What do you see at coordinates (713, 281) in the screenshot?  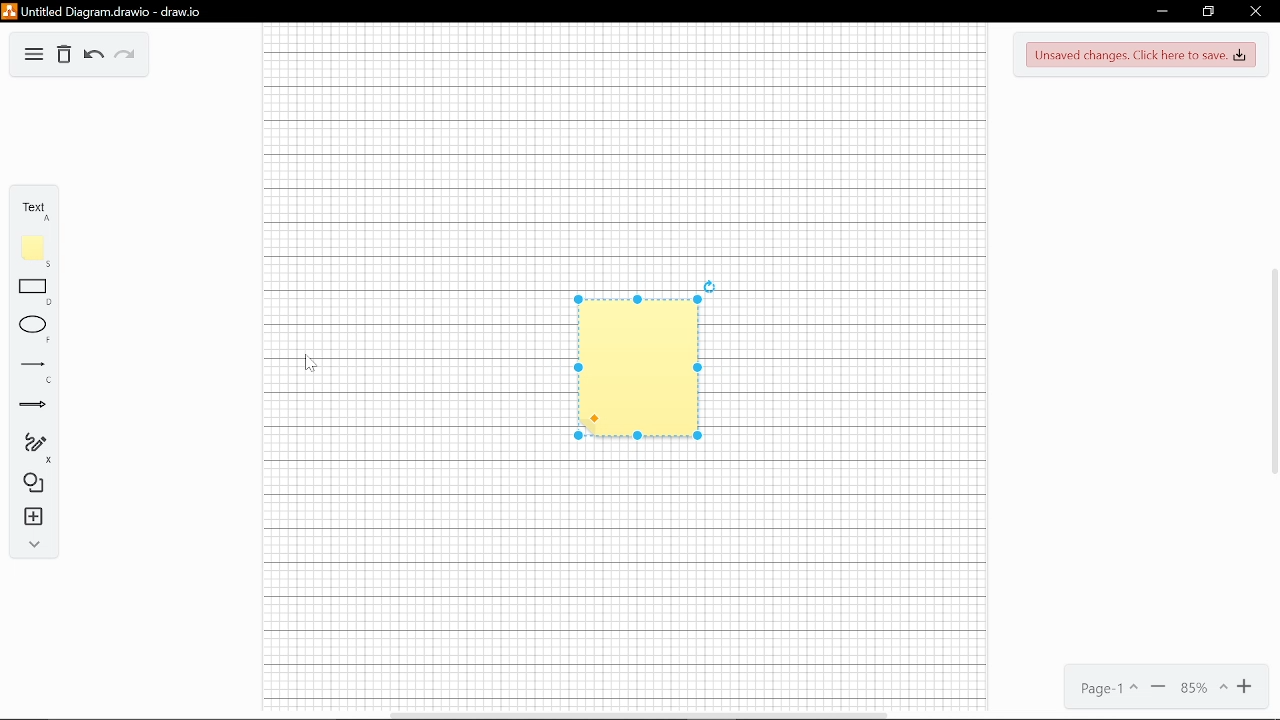 I see `Rotate` at bounding box center [713, 281].